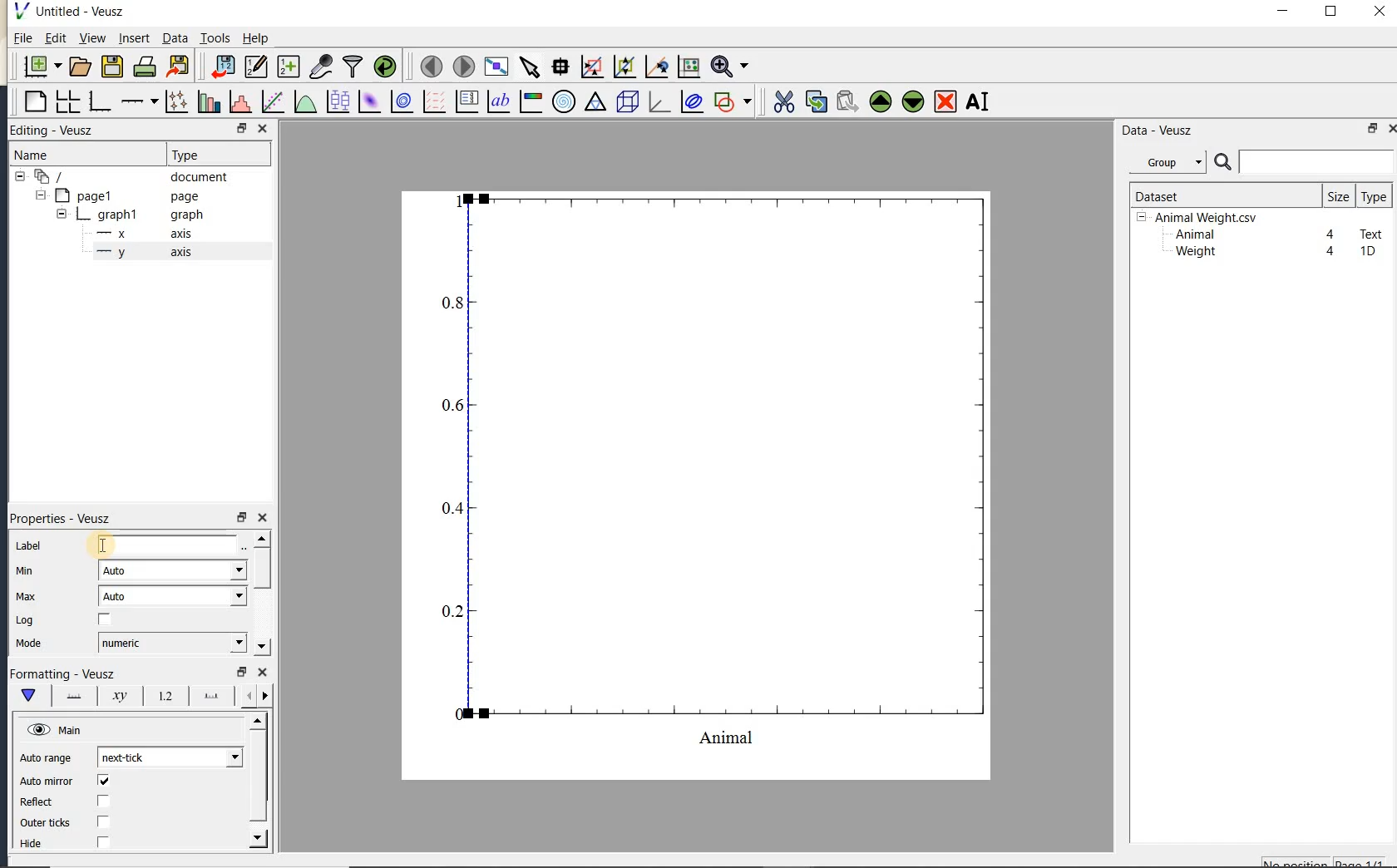 The image size is (1397, 868). What do you see at coordinates (145, 67) in the screenshot?
I see `print the document` at bounding box center [145, 67].